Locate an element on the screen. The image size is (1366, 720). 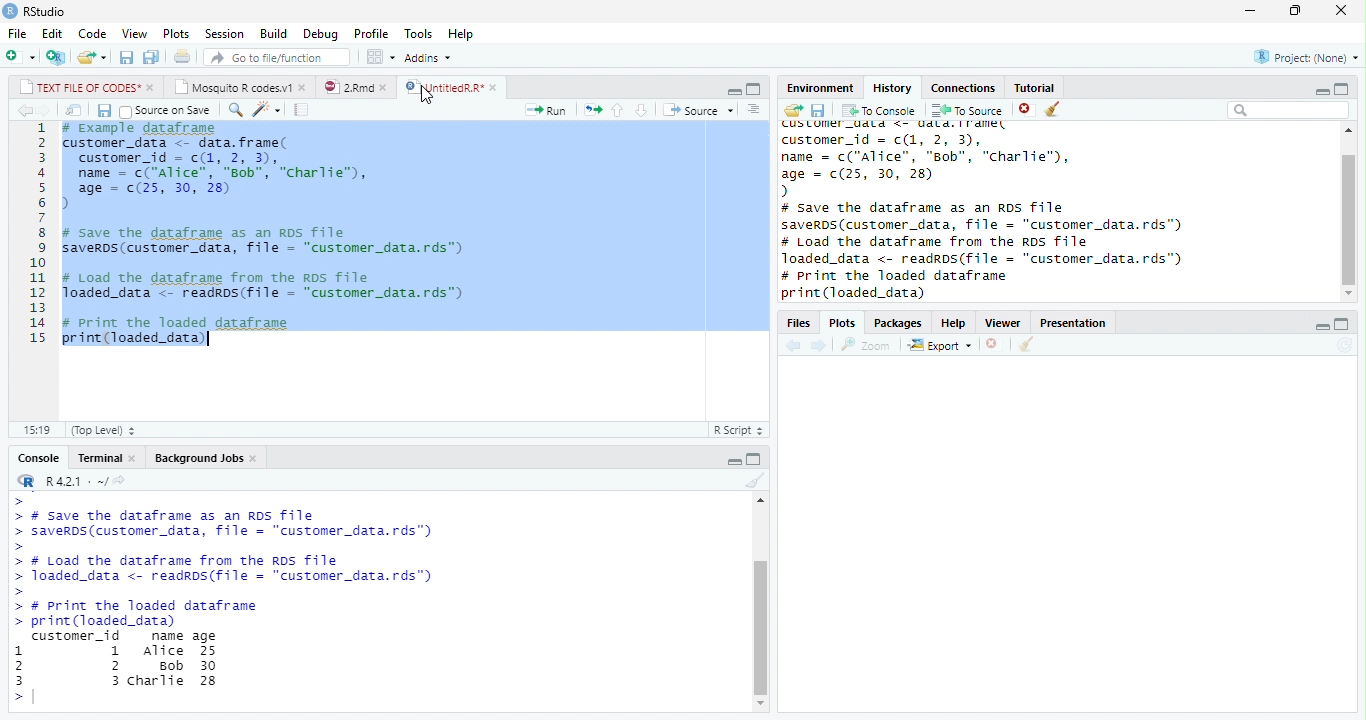
open file is located at coordinates (92, 57).